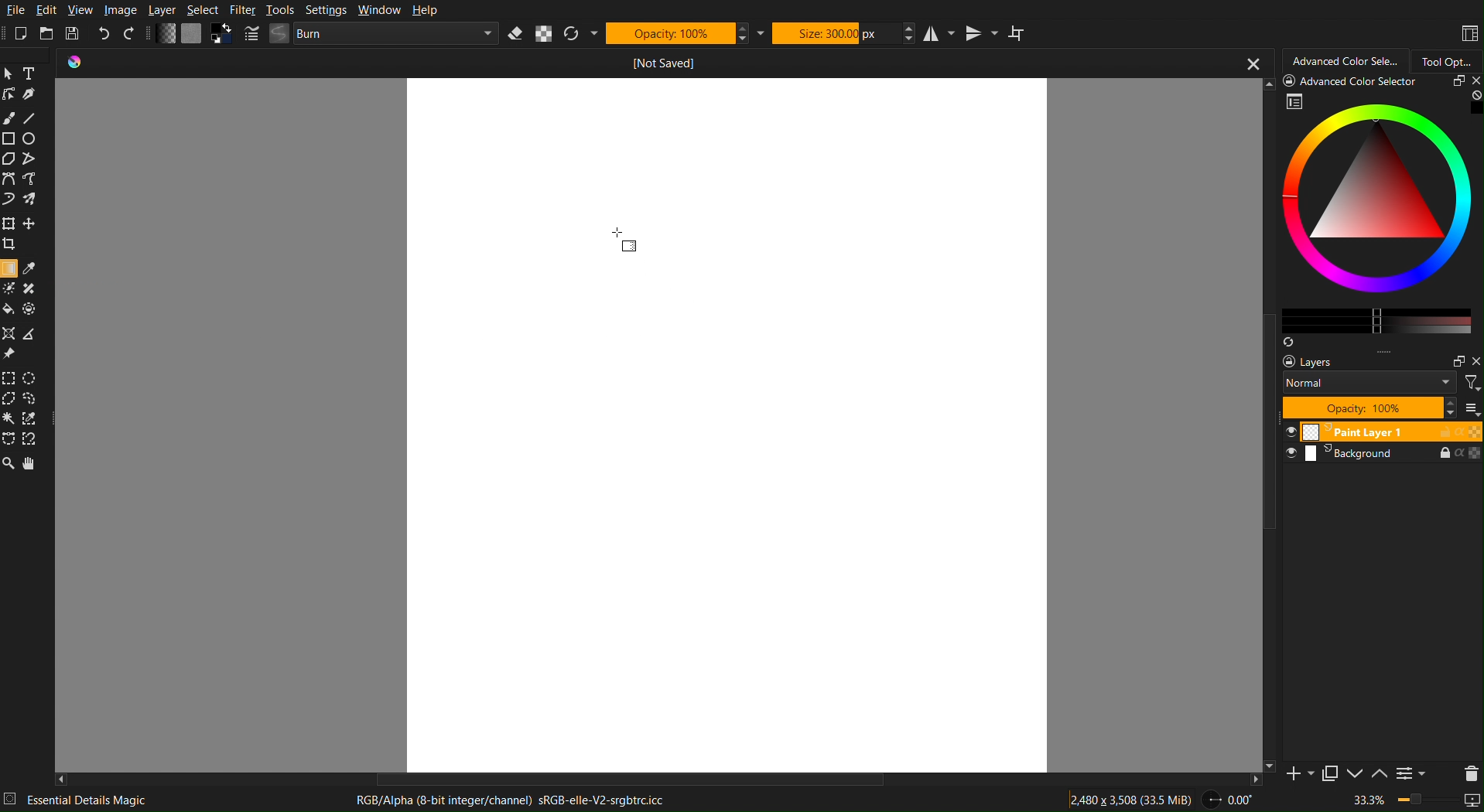  I want to click on Background, so click(1381, 455).